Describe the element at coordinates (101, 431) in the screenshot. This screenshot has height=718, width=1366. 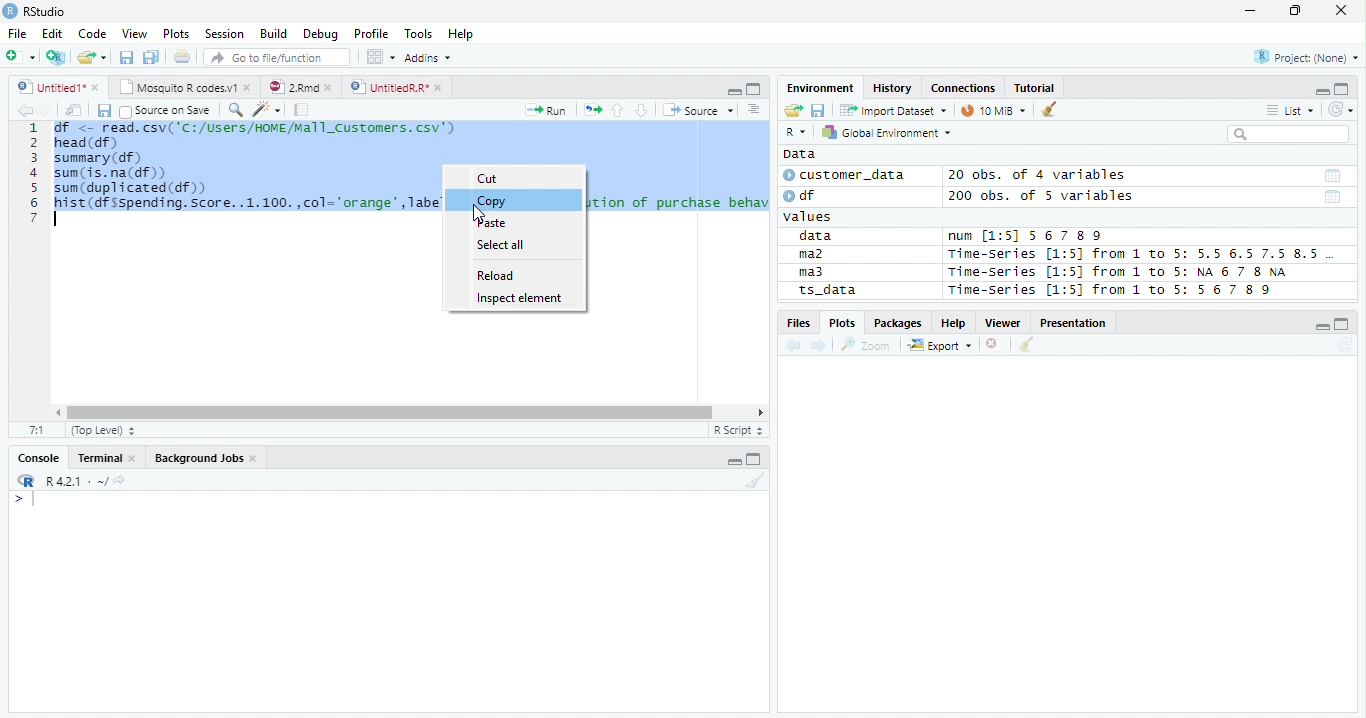
I see `Top Level` at that location.